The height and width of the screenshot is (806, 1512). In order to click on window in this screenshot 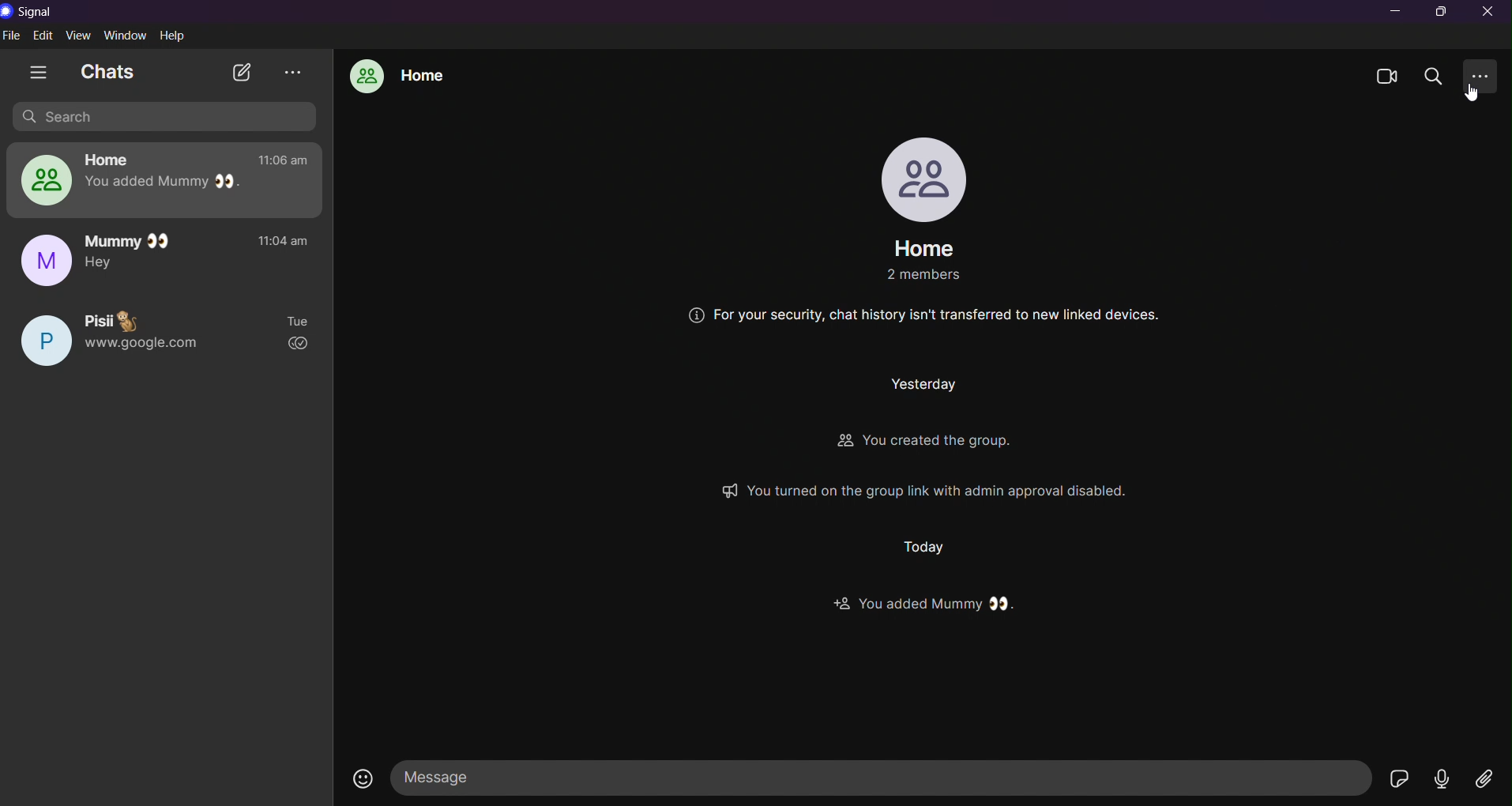, I will do `click(127, 36)`.